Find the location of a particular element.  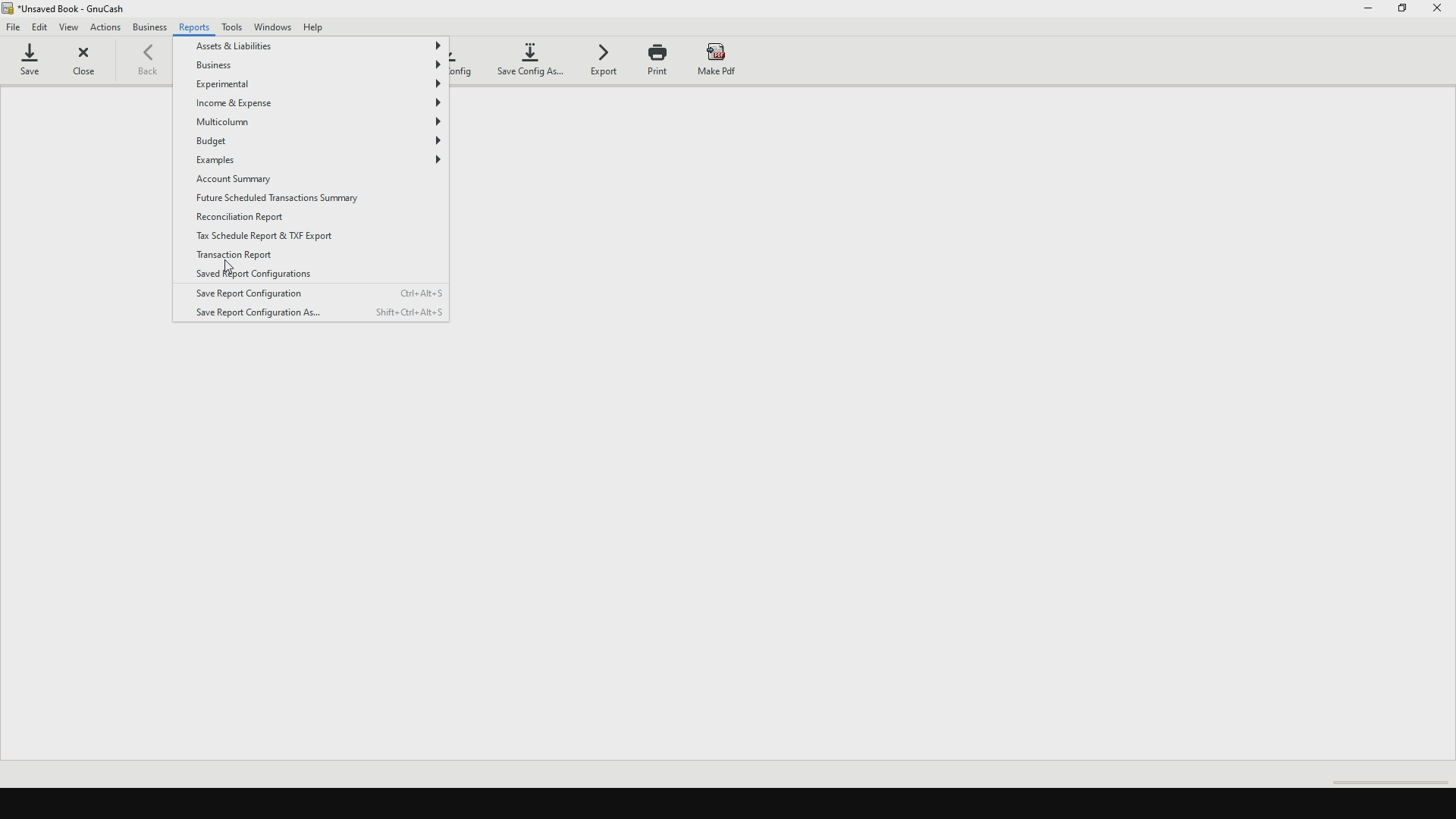

save config is located at coordinates (465, 61).